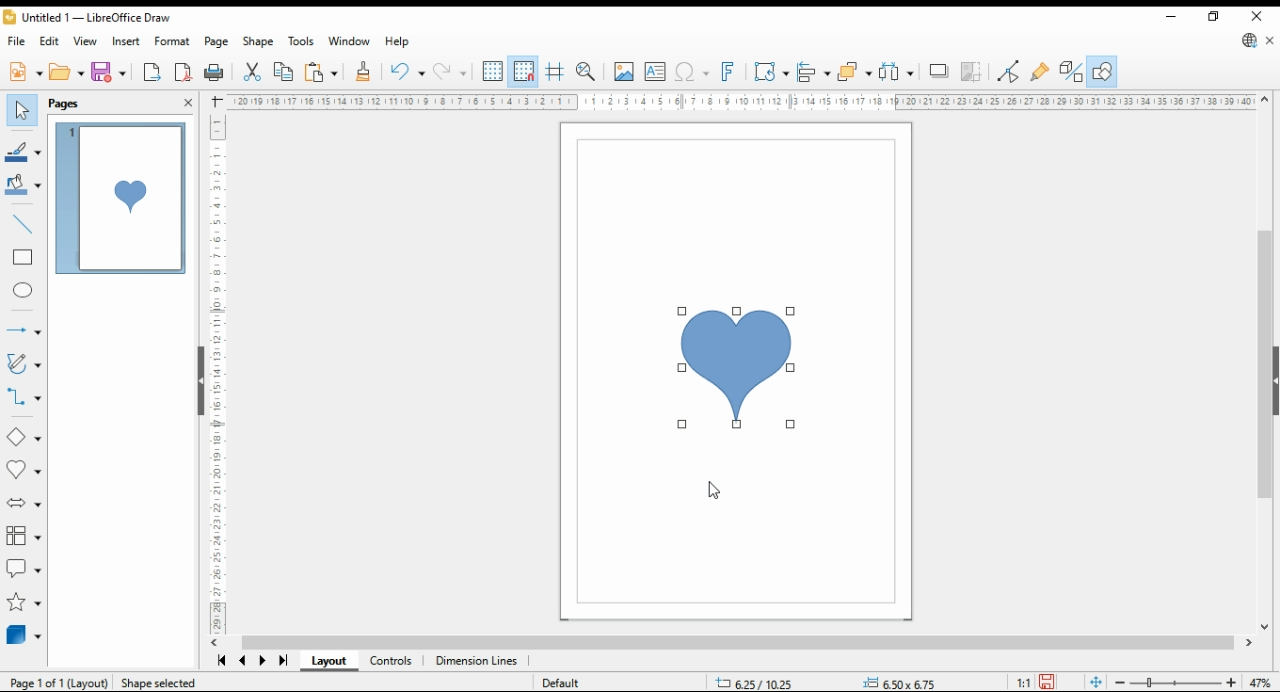 This screenshot has height=692, width=1280. I want to click on insert picture, so click(623, 72).